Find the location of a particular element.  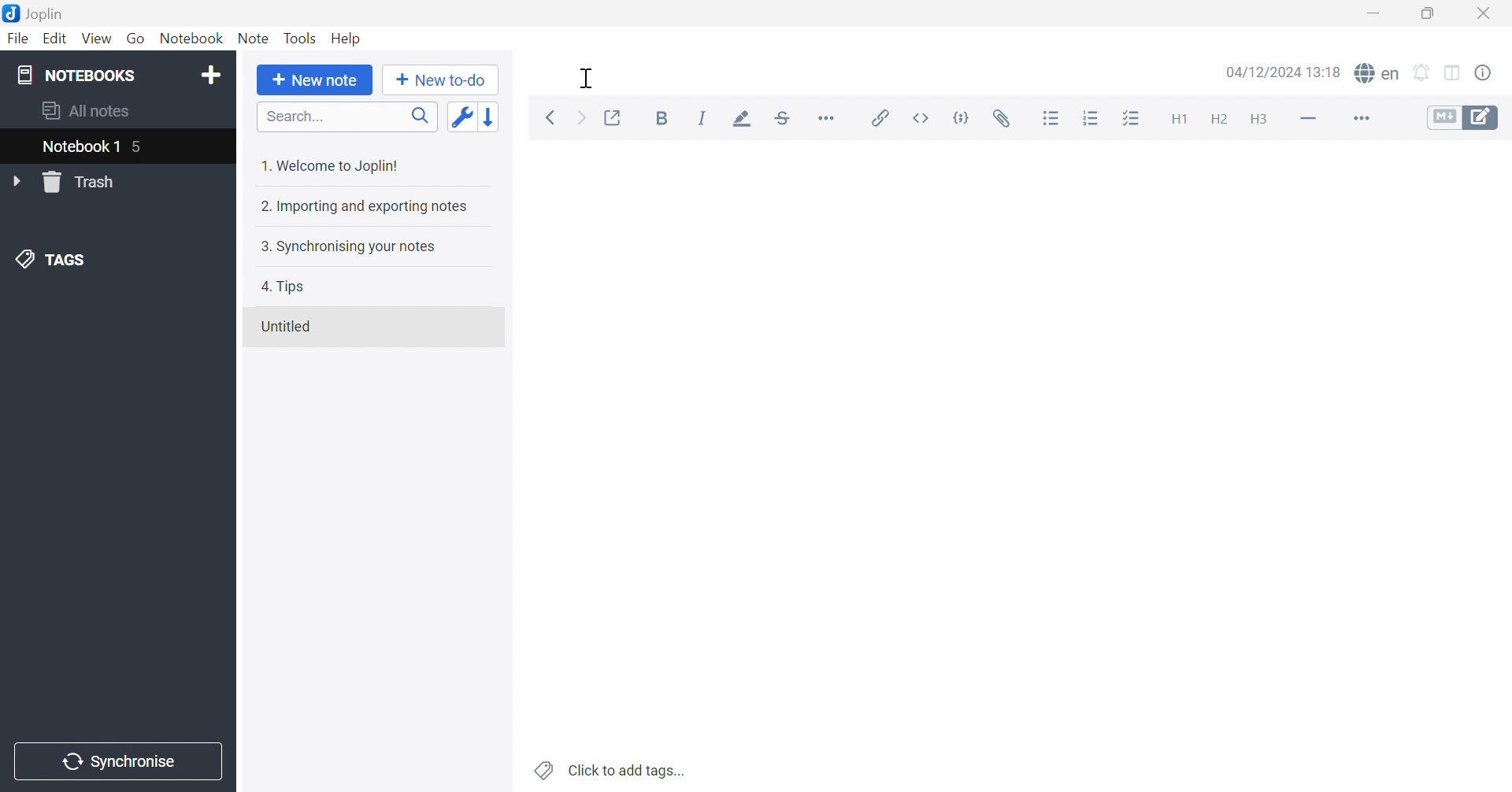

Back is located at coordinates (550, 117).